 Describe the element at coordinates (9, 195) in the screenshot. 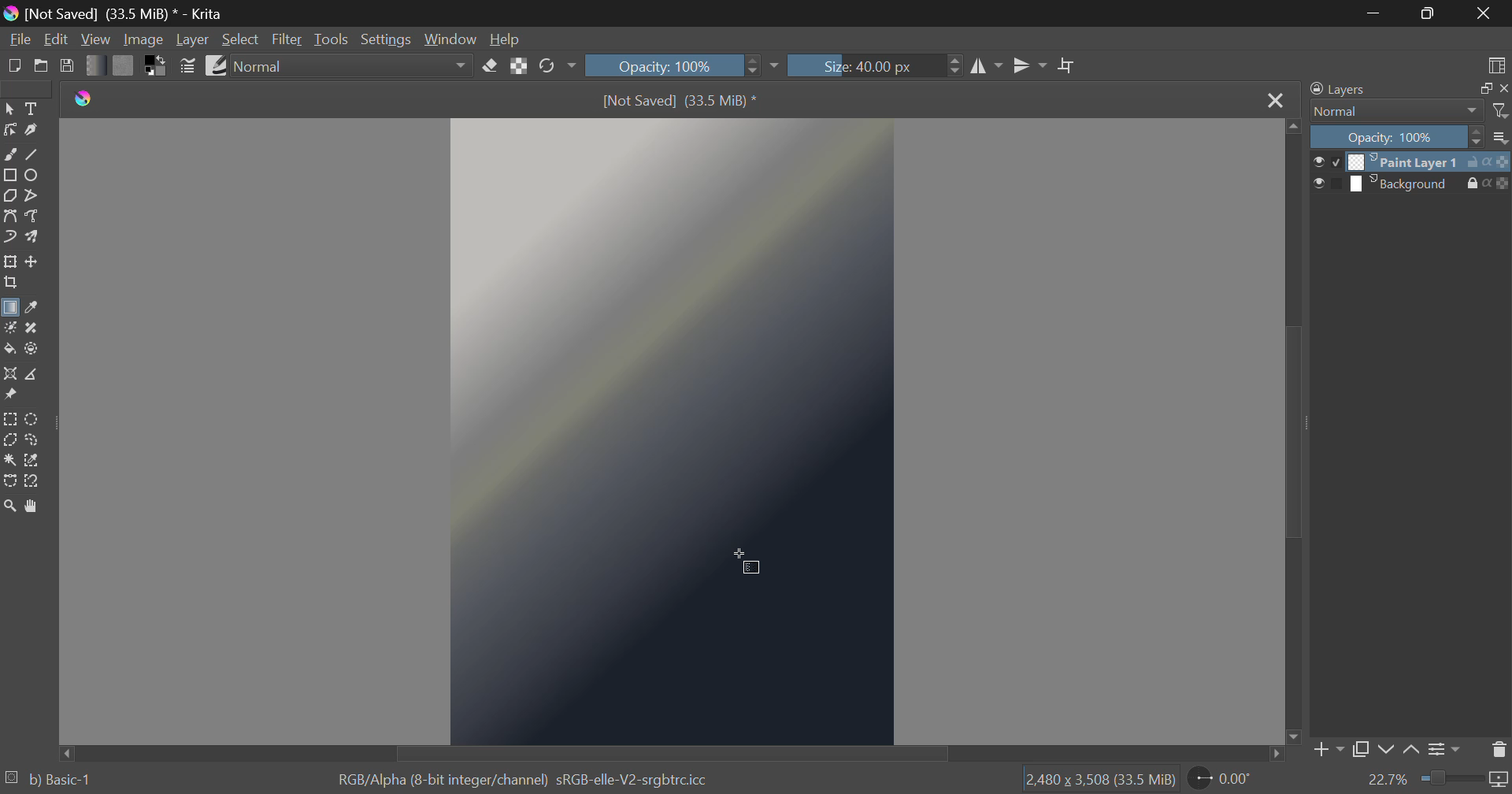

I see `Polygon` at that location.